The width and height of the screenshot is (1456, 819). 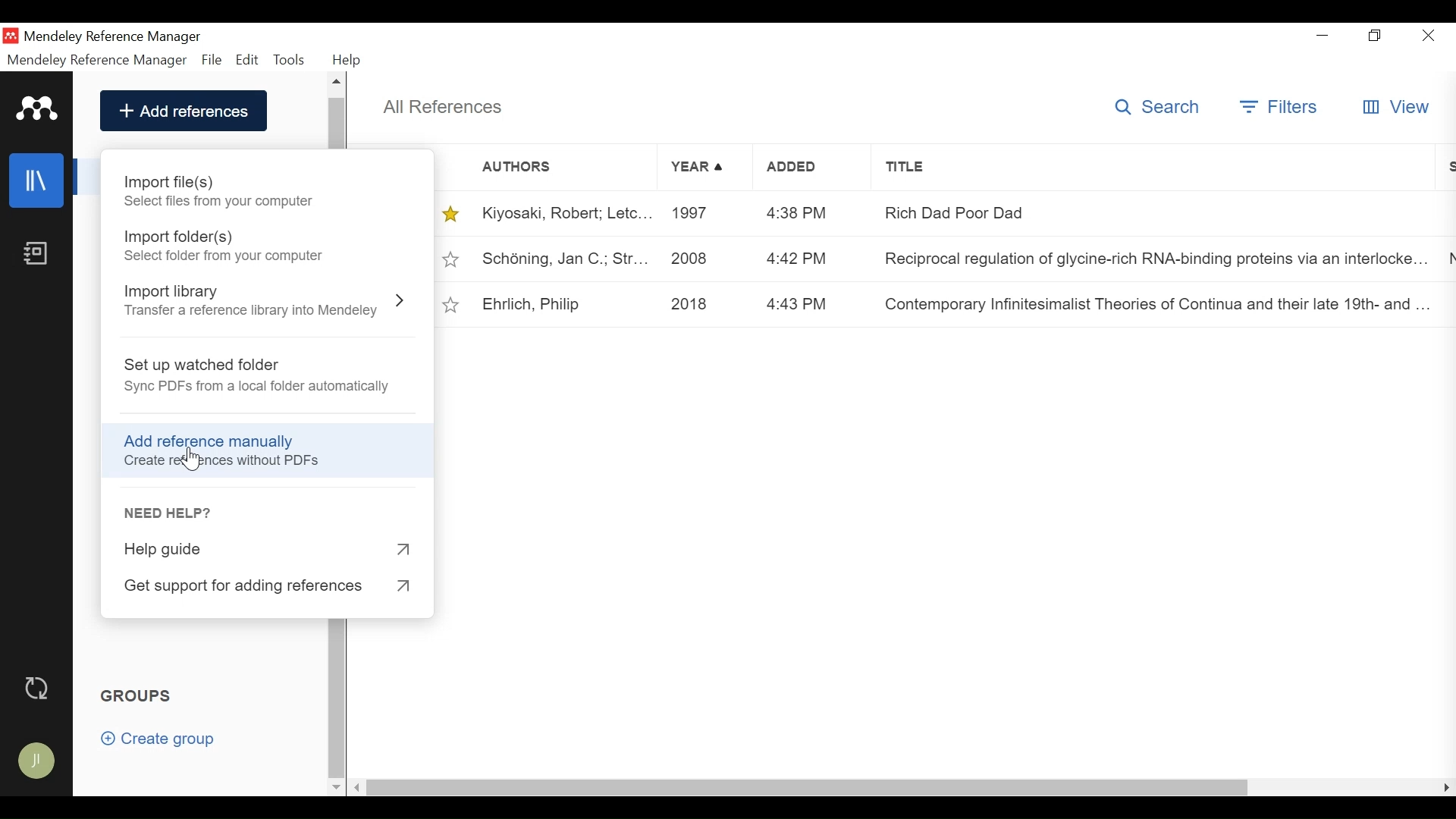 I want to click on Author, so click(x=544, y=166).